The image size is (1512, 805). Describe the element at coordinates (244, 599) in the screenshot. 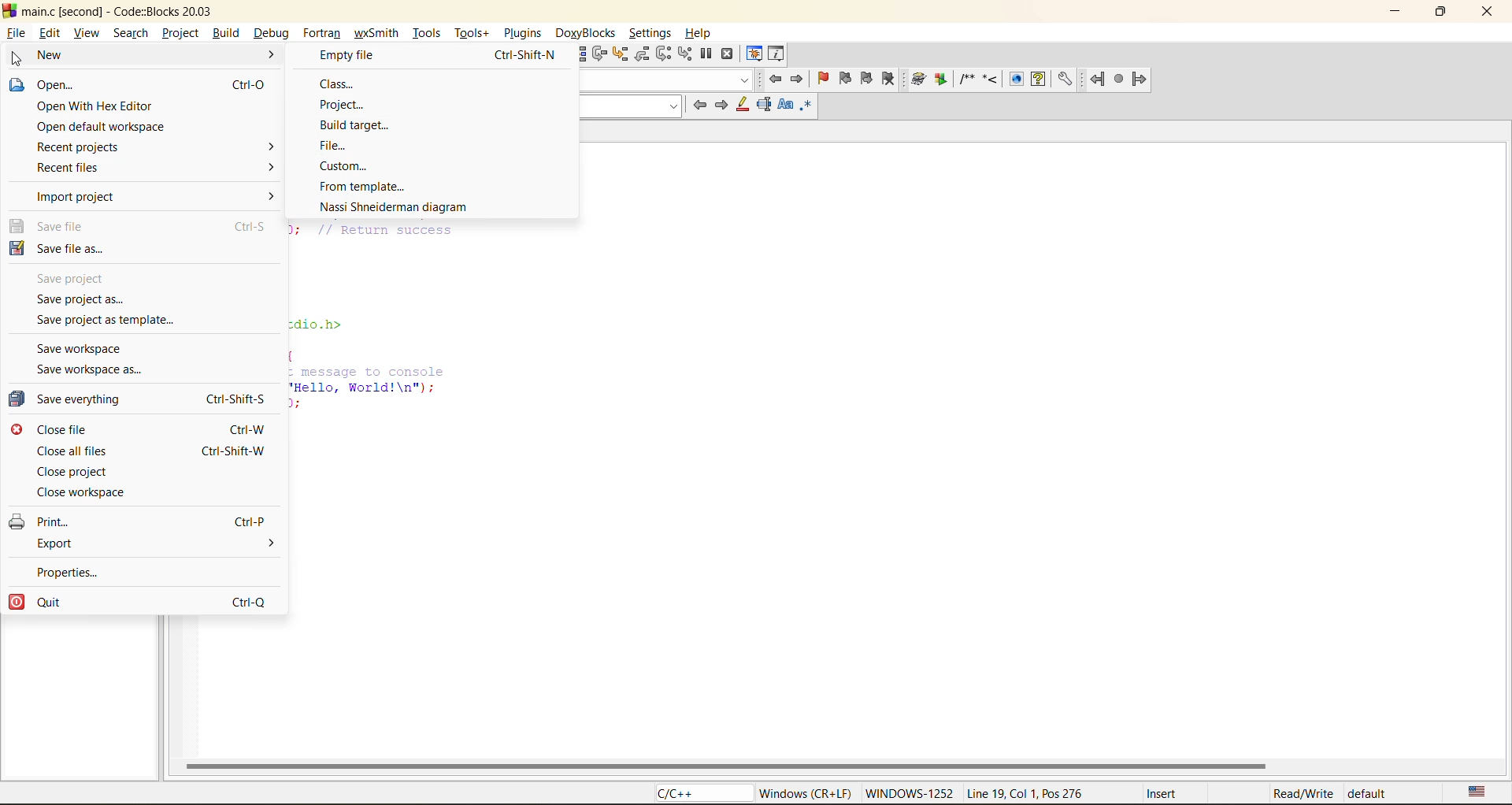

I see `Ctrl-Q` at that location.